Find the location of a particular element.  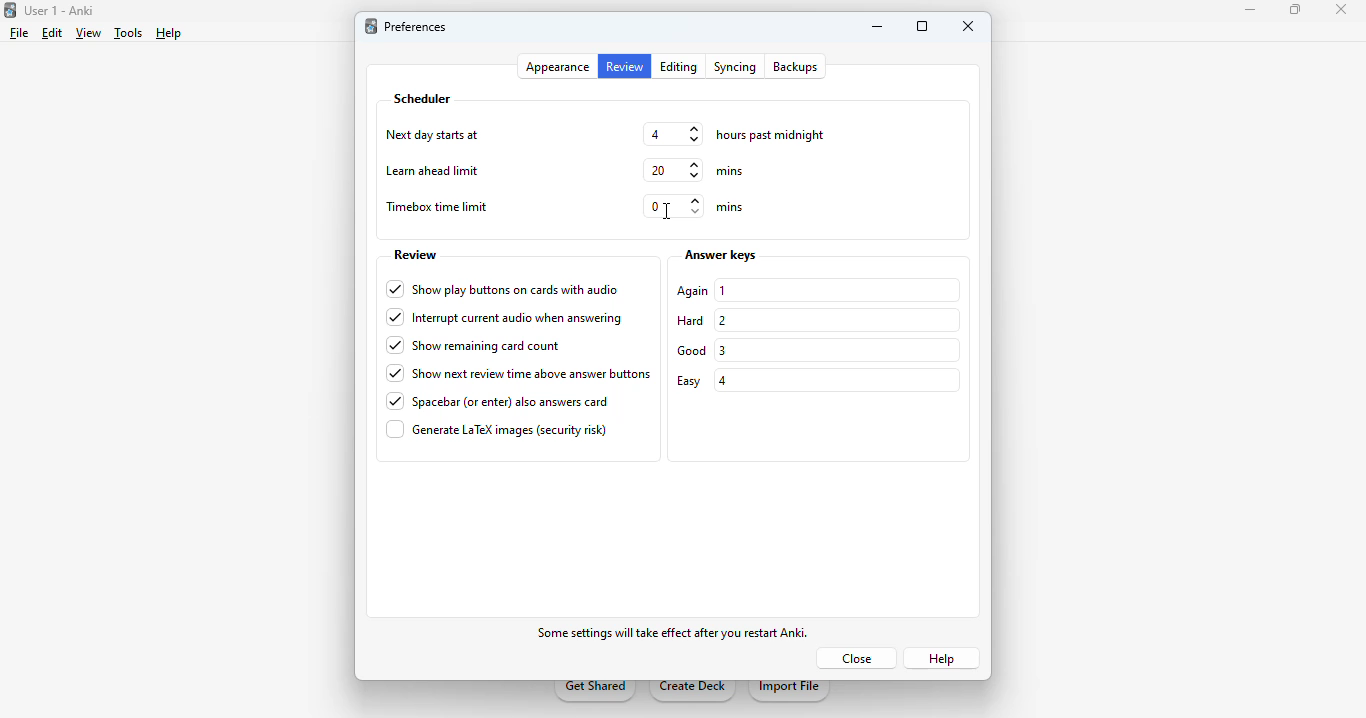

20 is located at coordinates (675, 170).